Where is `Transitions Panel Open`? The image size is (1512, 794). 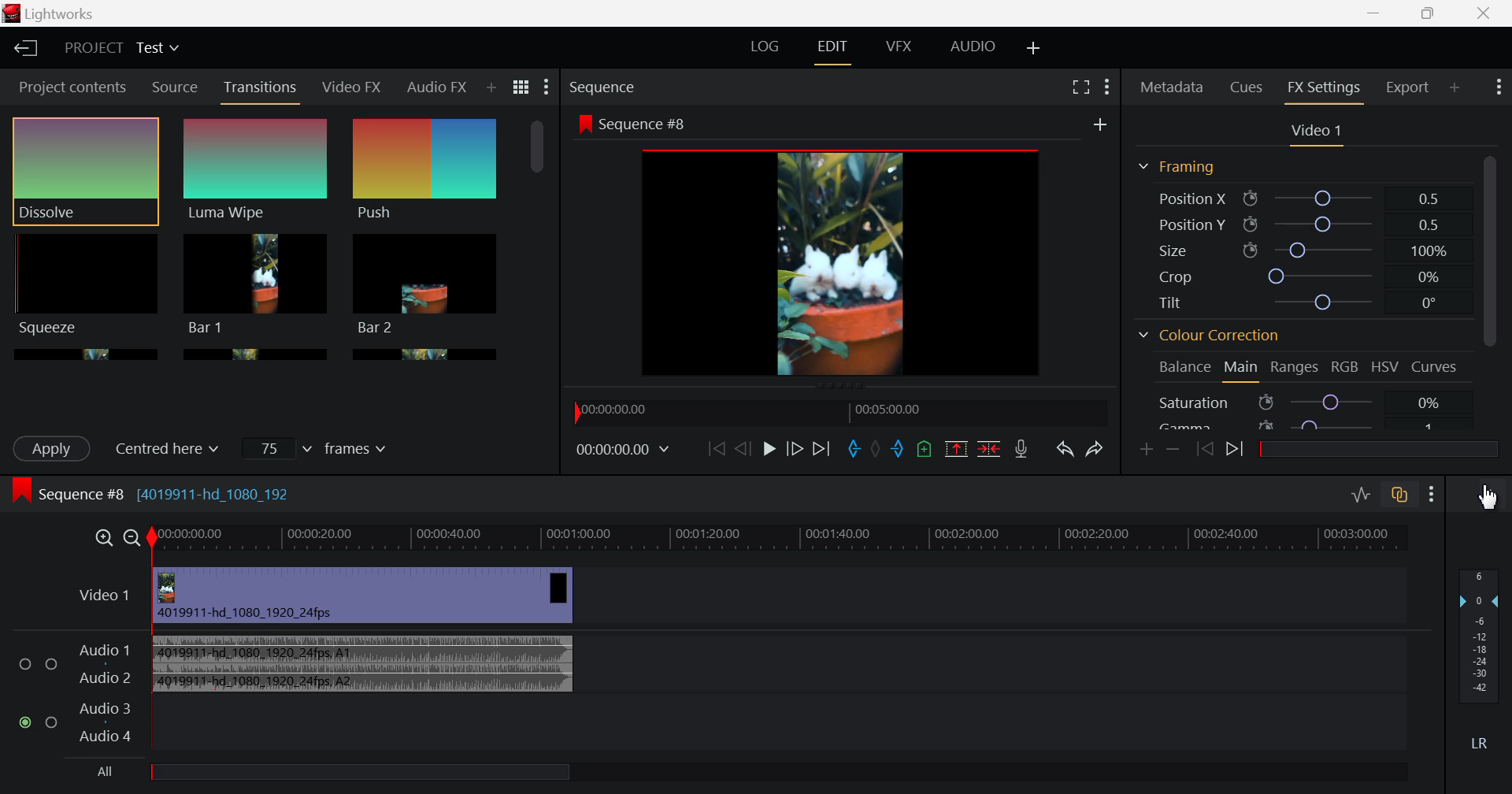 Transitions Panel Open is located at coordinates (261, 92).